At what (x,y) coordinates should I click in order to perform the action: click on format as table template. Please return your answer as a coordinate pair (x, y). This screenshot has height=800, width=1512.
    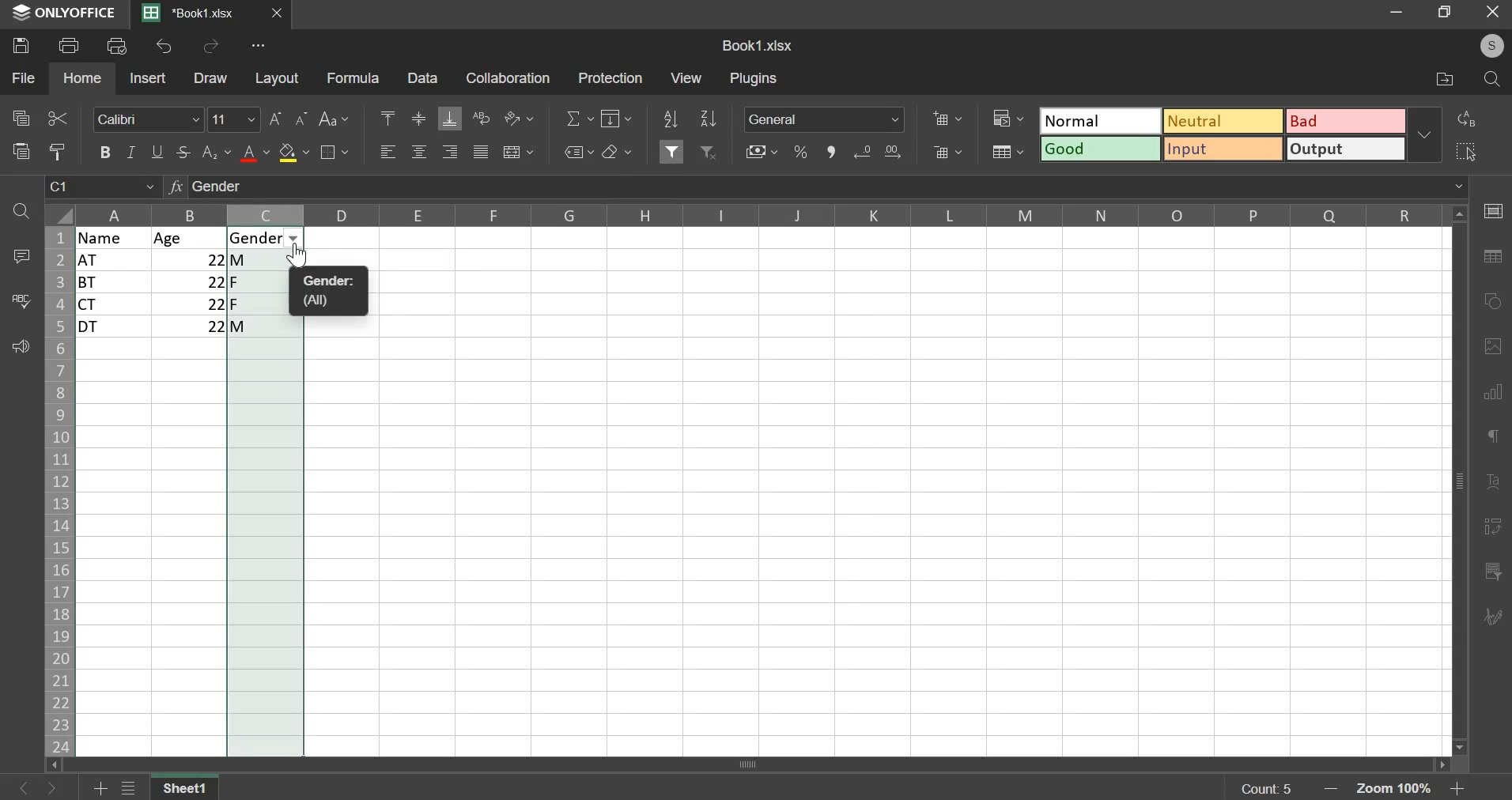
    Looking at the image, I should click on (1007, 152).